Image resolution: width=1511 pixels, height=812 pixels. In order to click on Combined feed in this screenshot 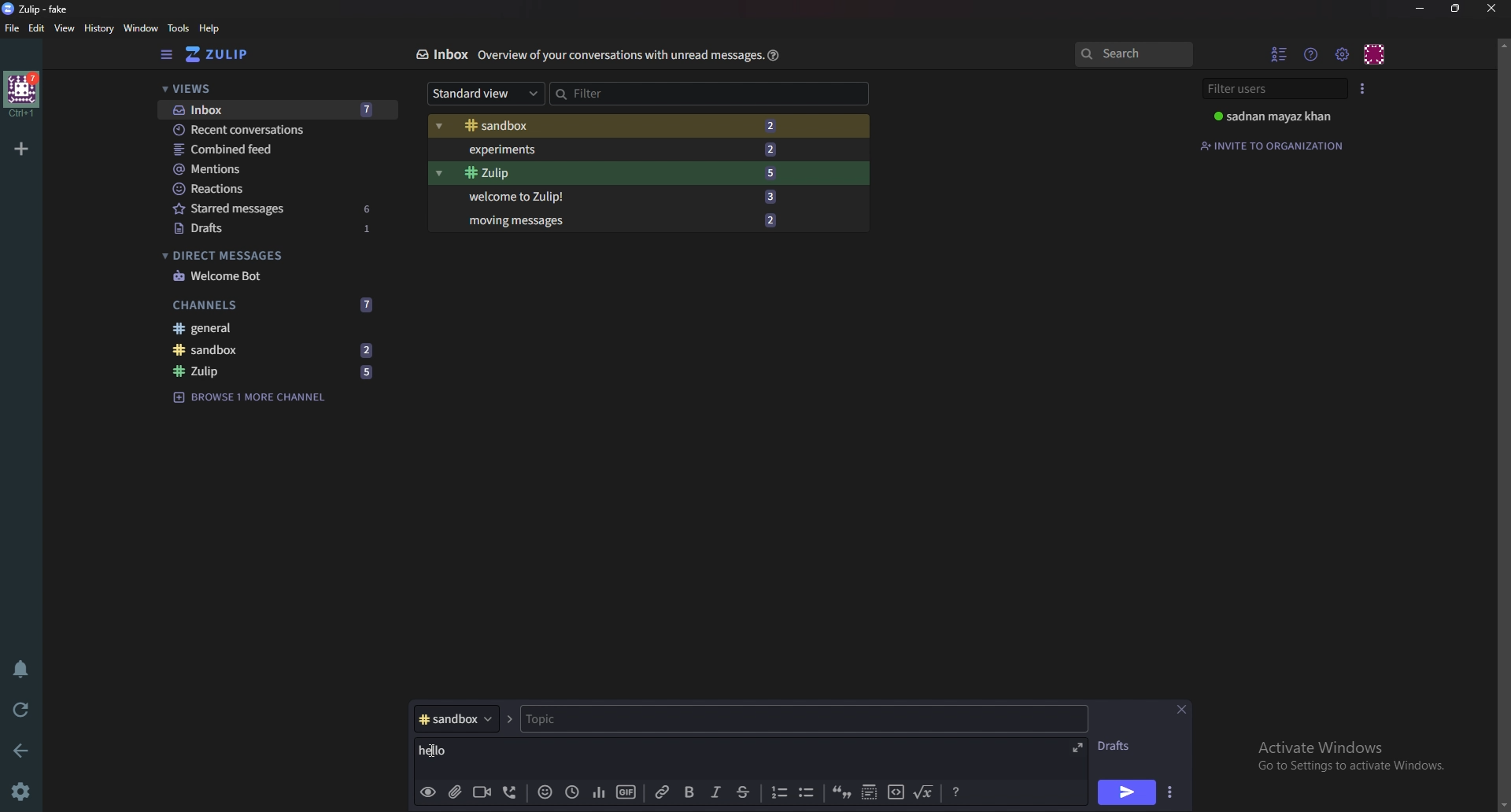, I will do `click(275, 149)`.